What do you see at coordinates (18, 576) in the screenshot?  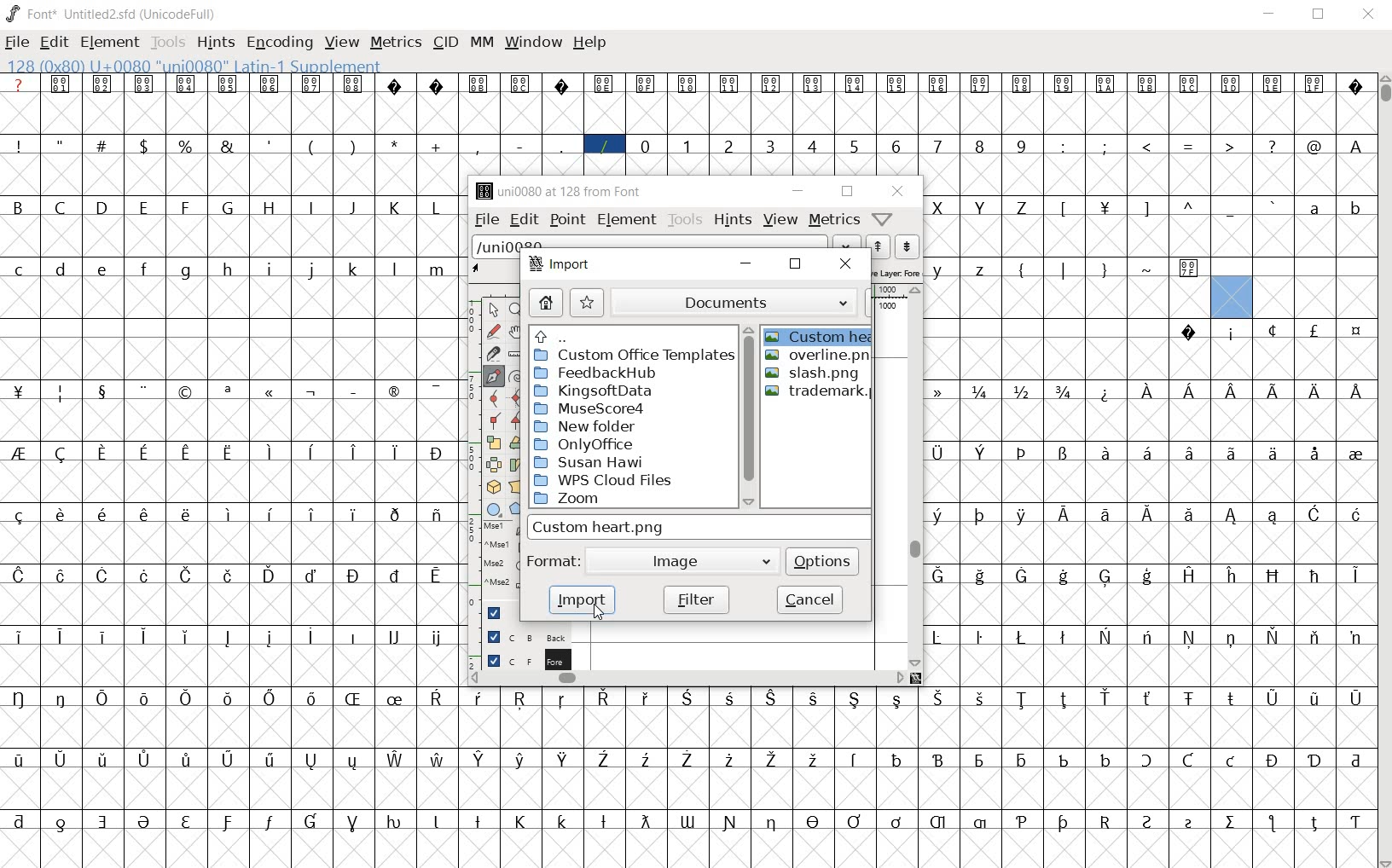 I see `glyph` at bounding box center [18, 576].